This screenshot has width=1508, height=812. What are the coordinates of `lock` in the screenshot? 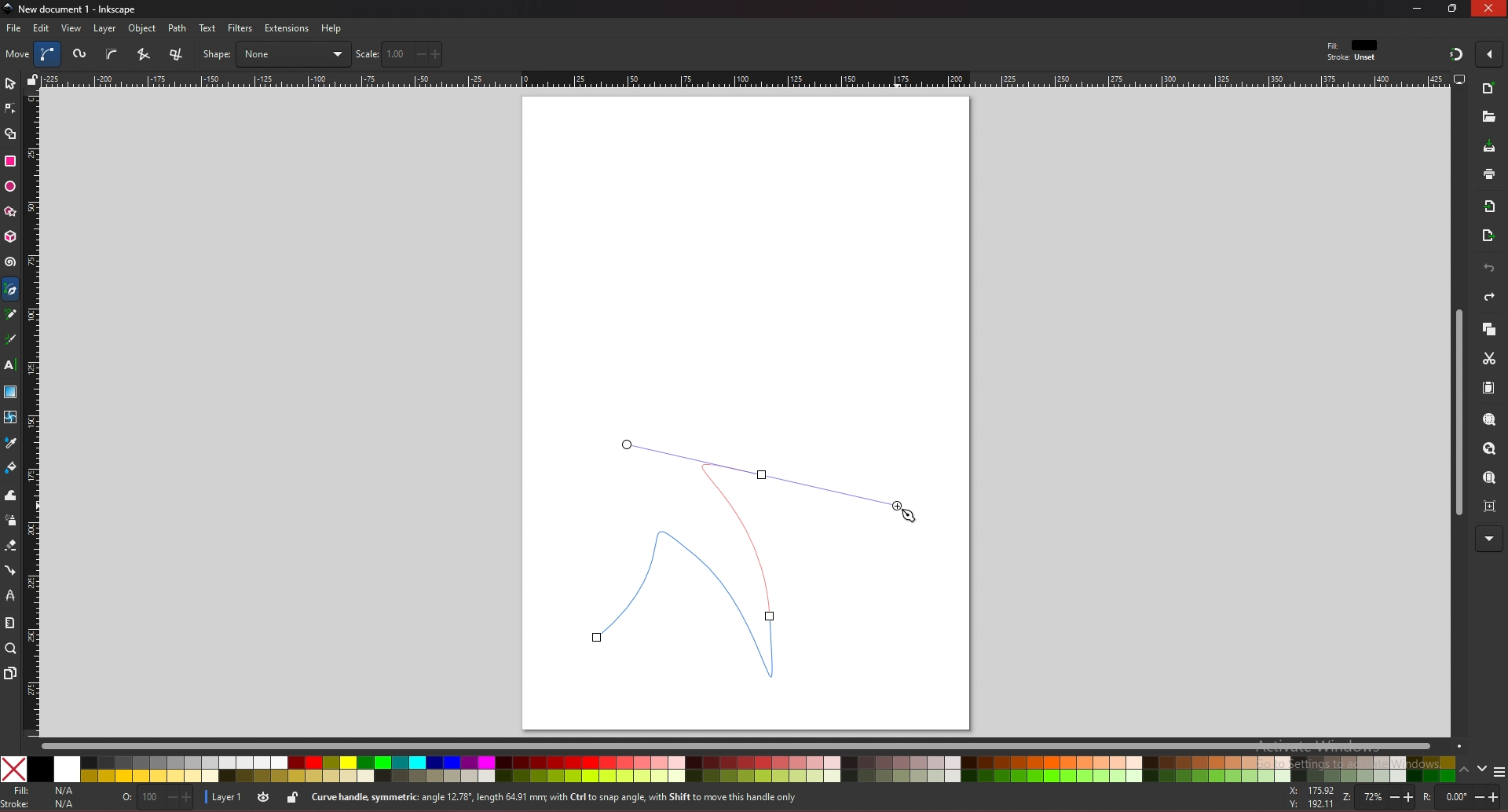 It's located at (292, 797).